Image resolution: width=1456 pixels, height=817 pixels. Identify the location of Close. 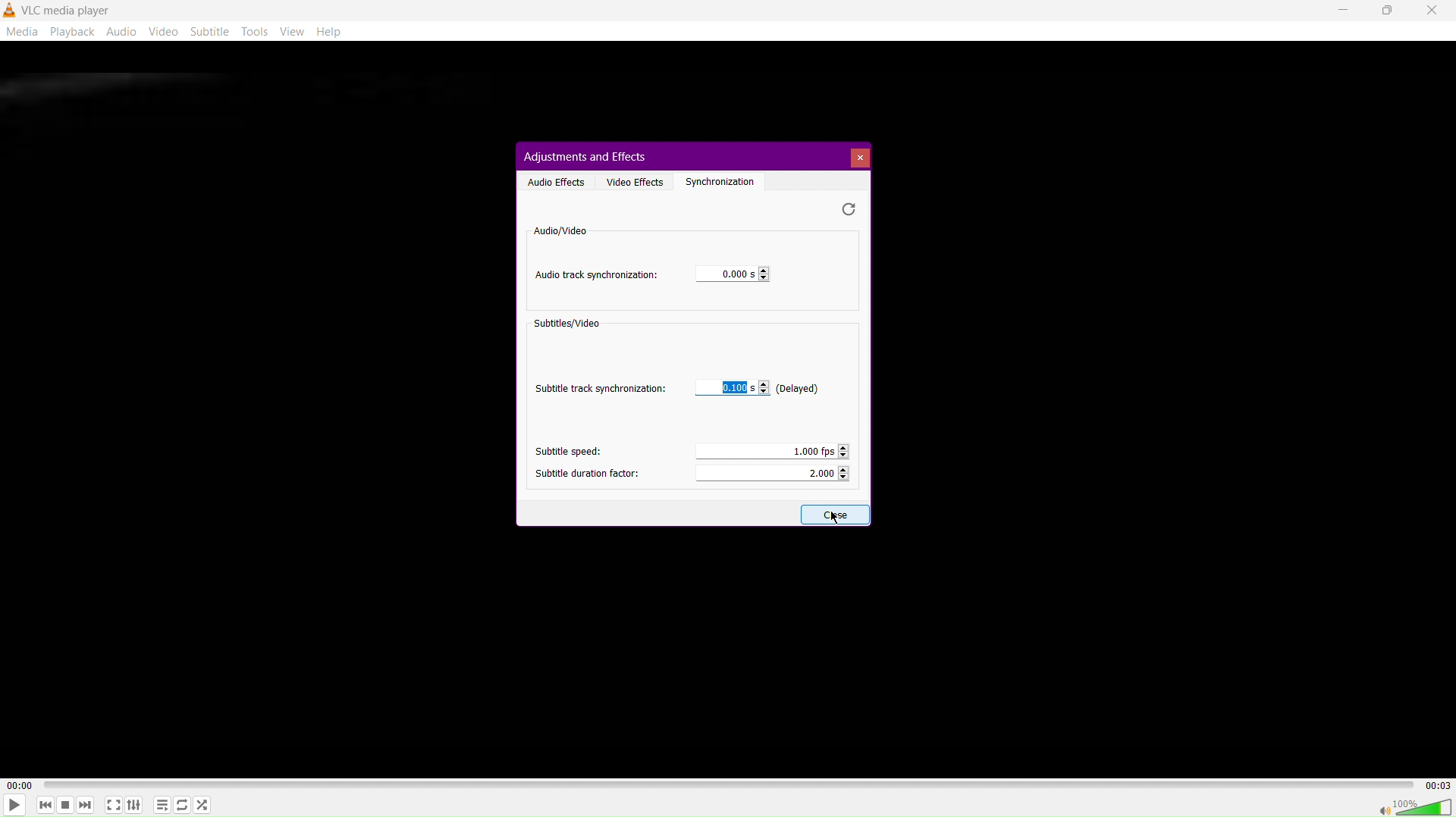
(1433, 11).